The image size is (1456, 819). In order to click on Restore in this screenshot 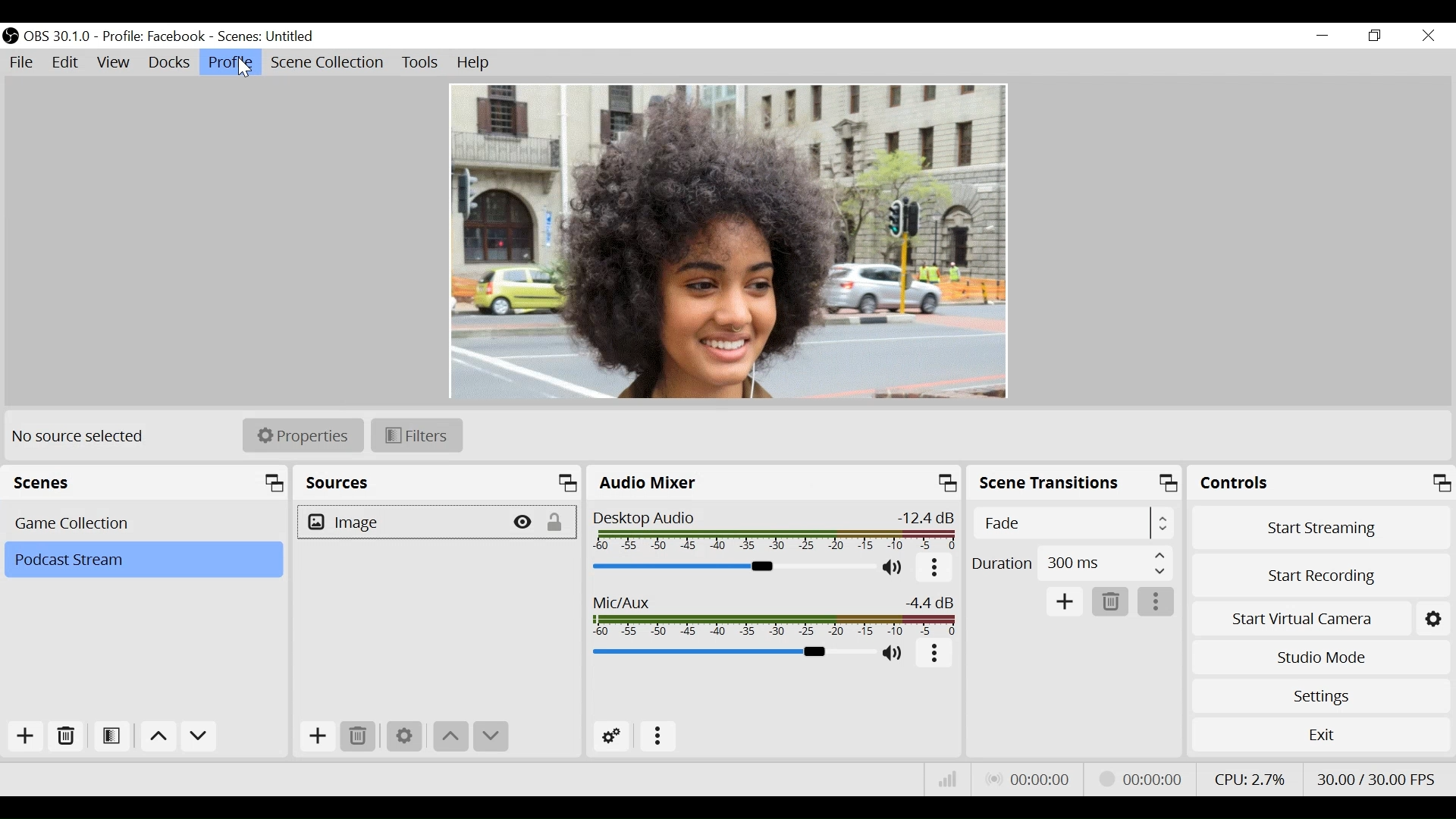, I will do `click(1375, 36)`.